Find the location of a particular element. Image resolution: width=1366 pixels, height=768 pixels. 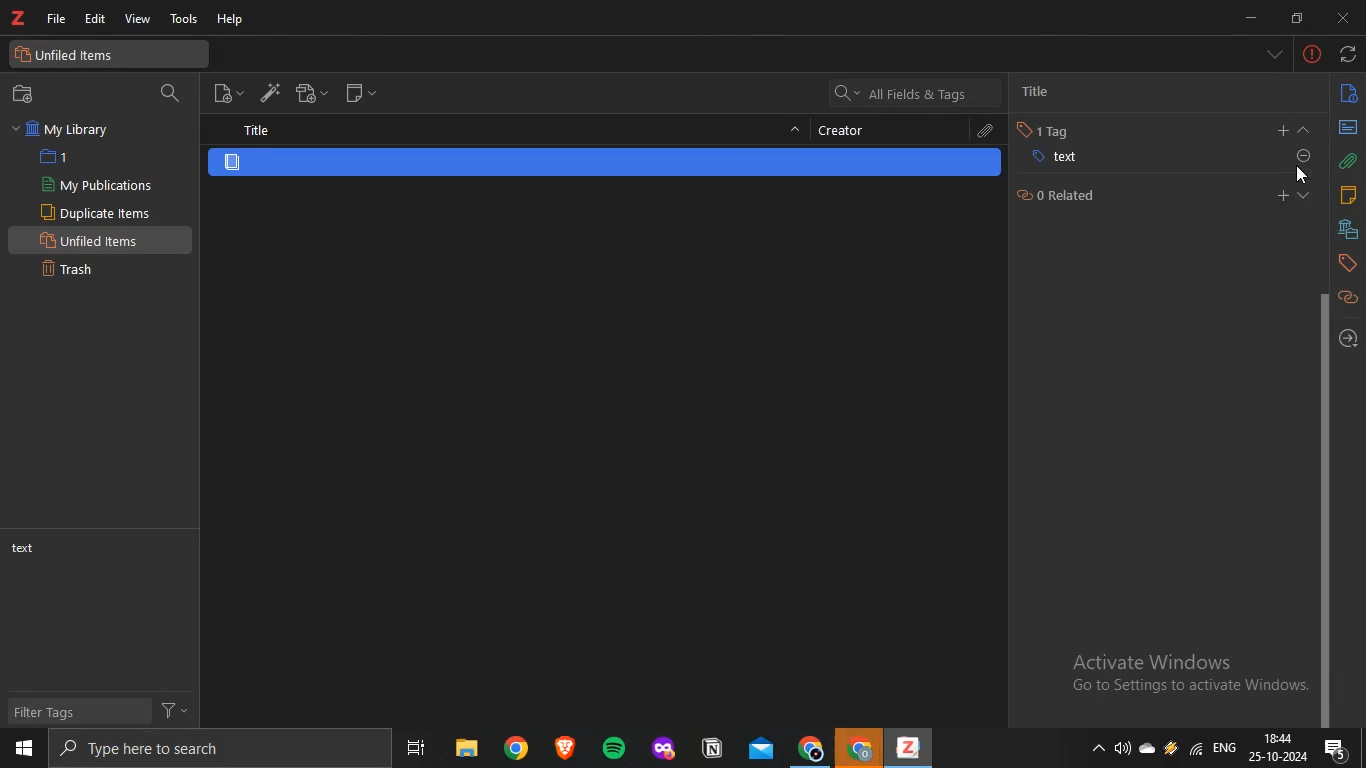

notes is located at coordinates (1349, 196).